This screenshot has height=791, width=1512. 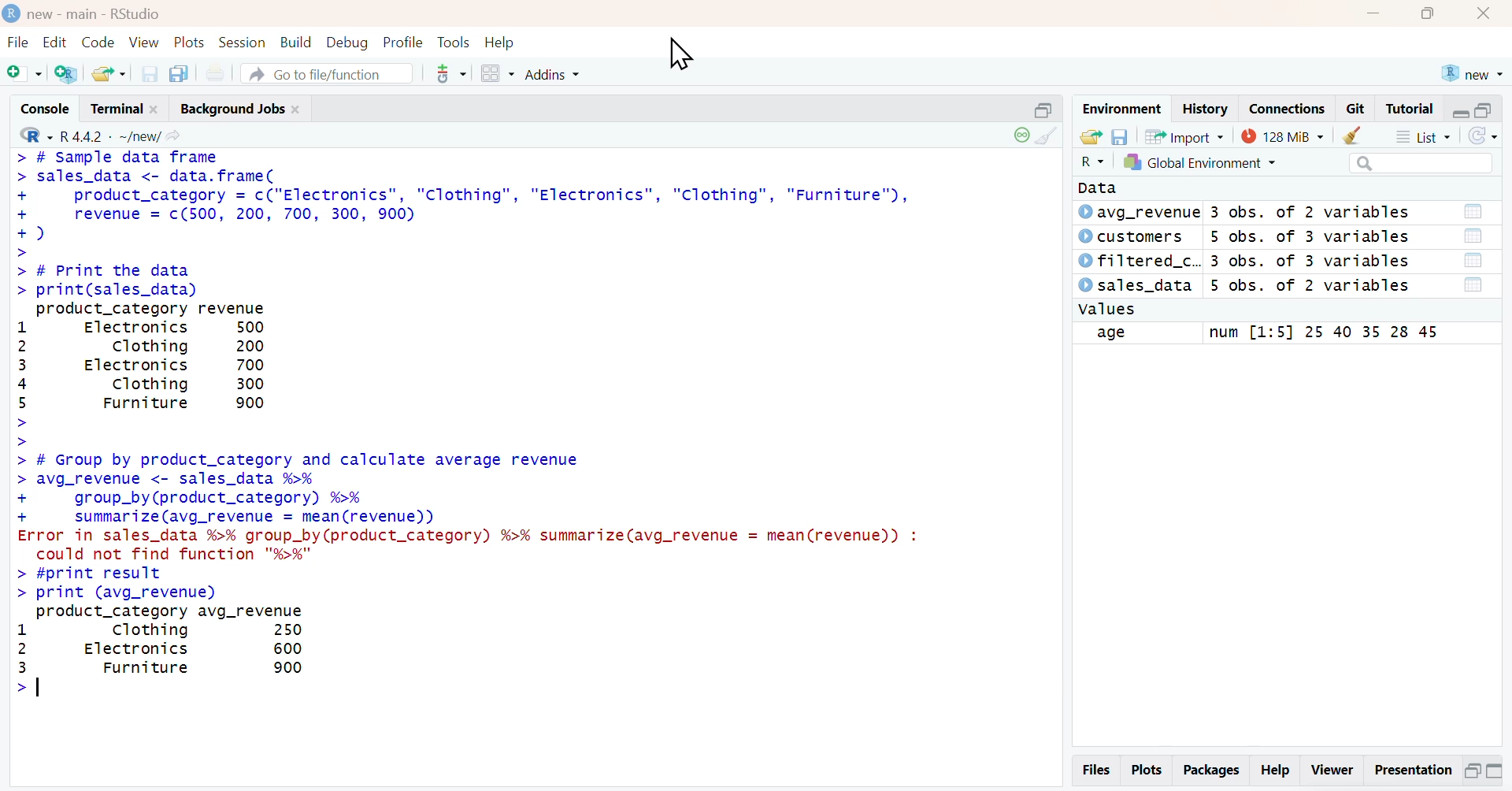 What do you see at coordinates (1206, 109) in the screenshot?
I see `History` at bounding box center [1206, 109].